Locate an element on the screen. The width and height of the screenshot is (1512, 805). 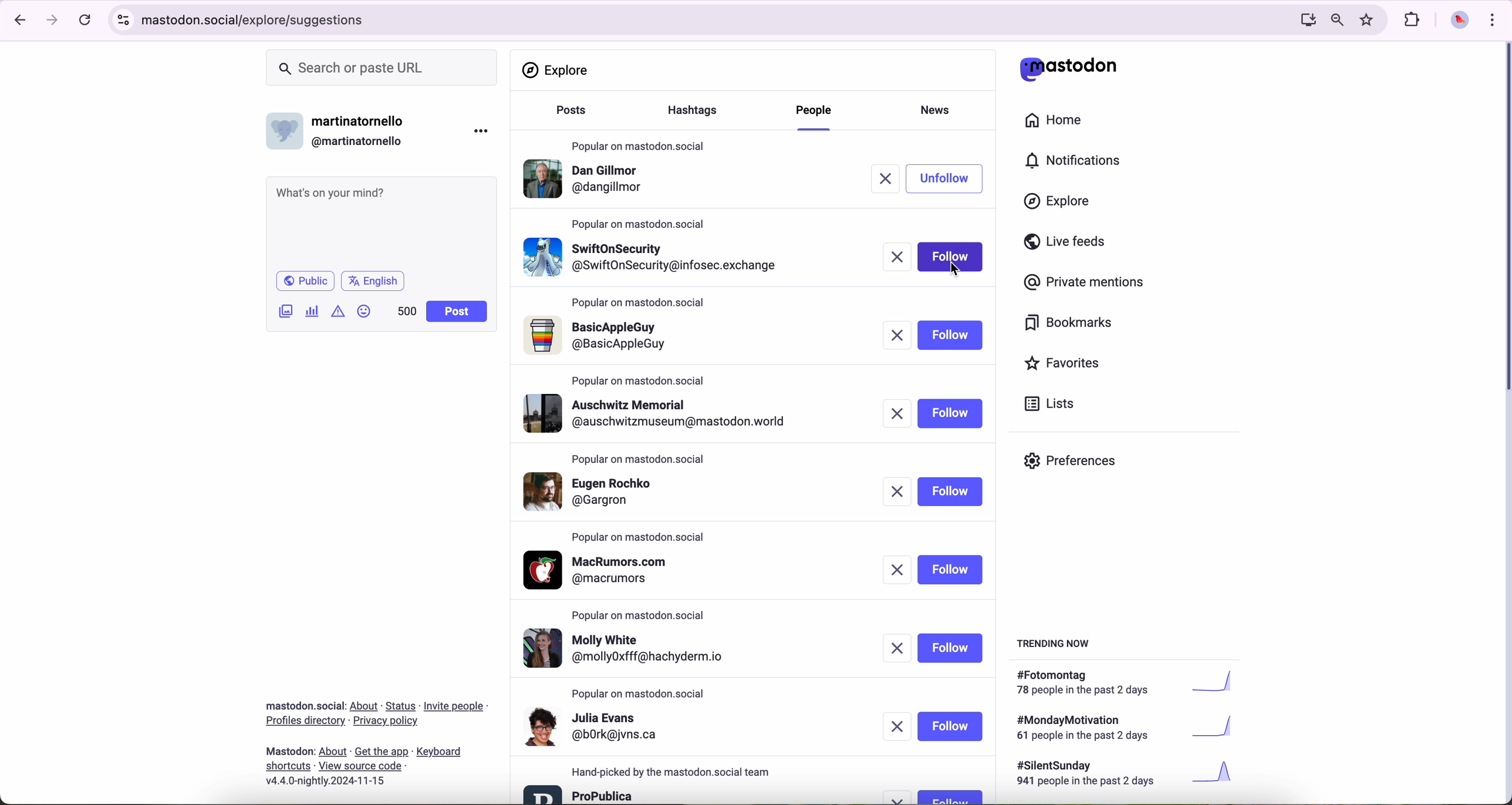
remove is located at coordinates (897, 649).